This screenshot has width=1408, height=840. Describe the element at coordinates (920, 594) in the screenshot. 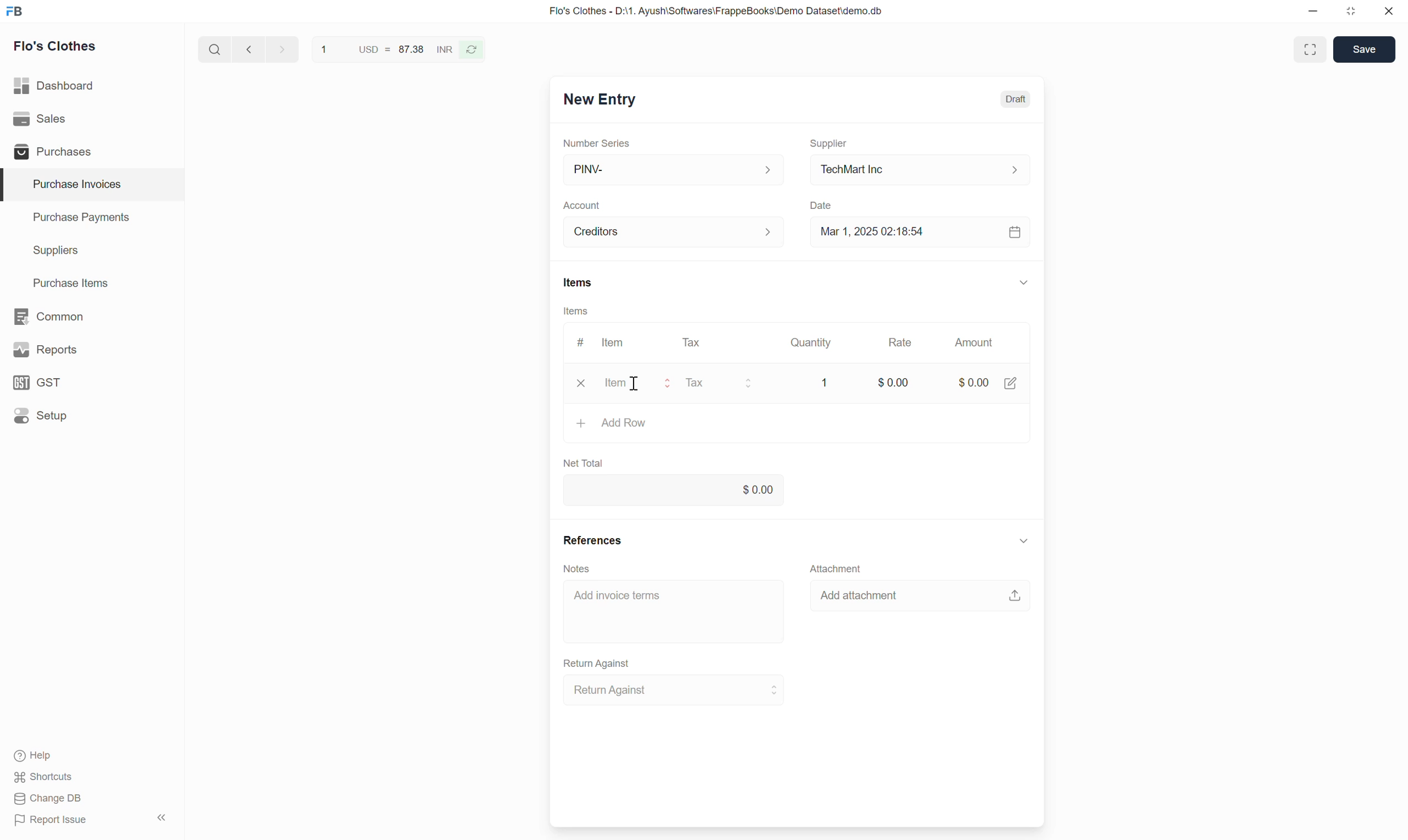

I see `Add attachment` at that location.